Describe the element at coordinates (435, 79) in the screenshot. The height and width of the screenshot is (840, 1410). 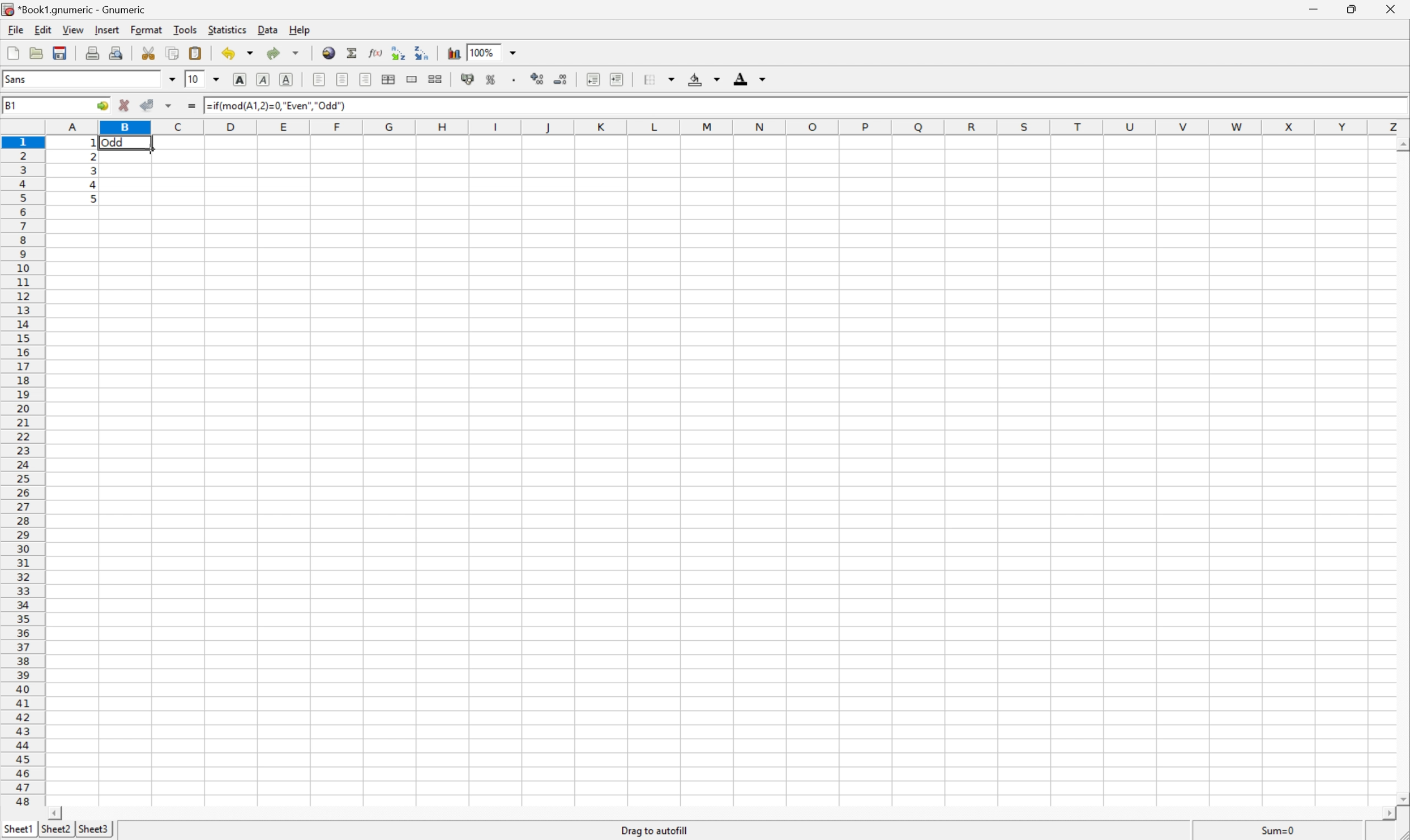
I see `Split ranges of merged cells ` at that location.